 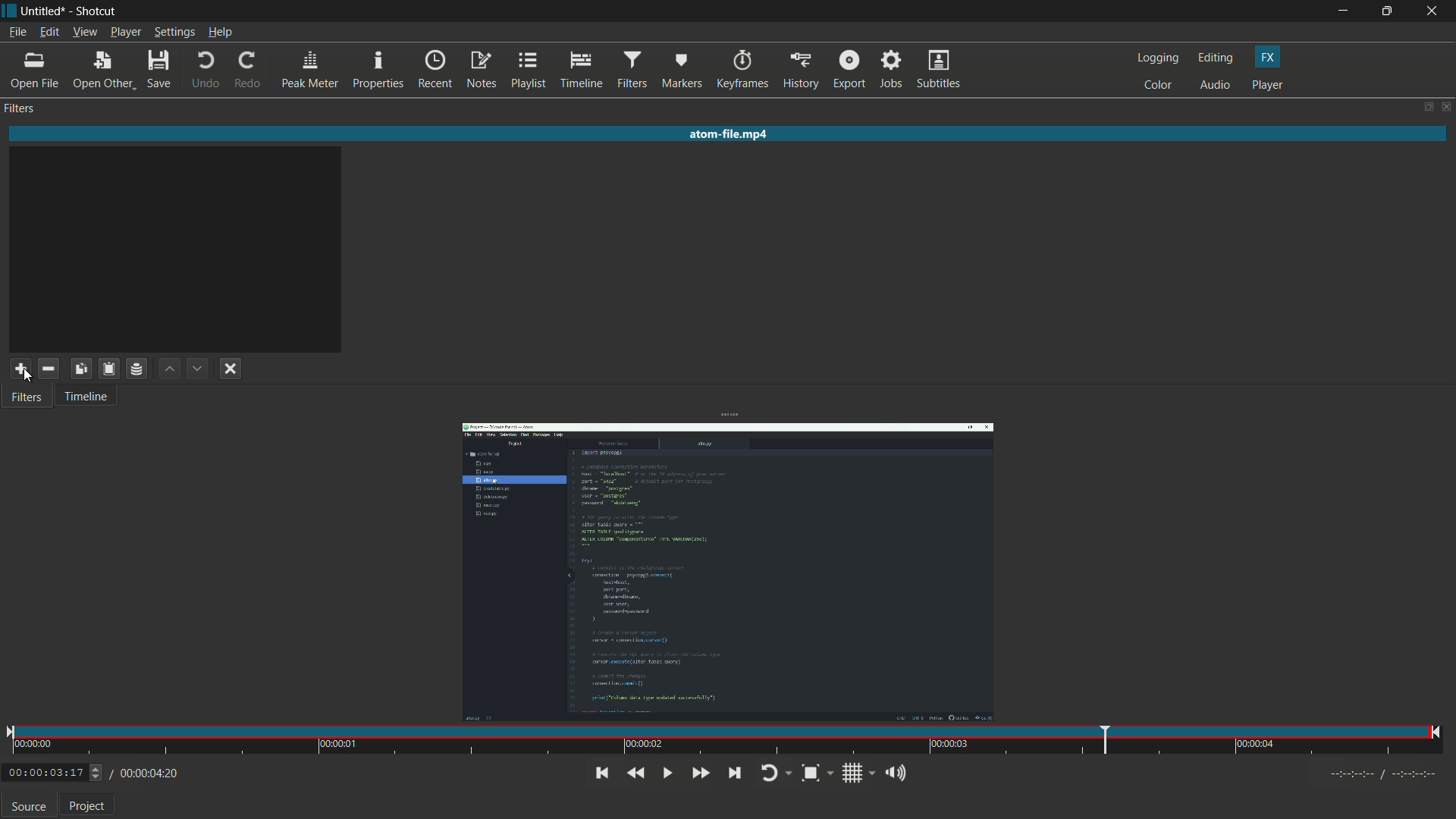 What do you see at coordinates (1423, 106) in the screenshot?
I see `change layout` at bounding box center [1423, 106].